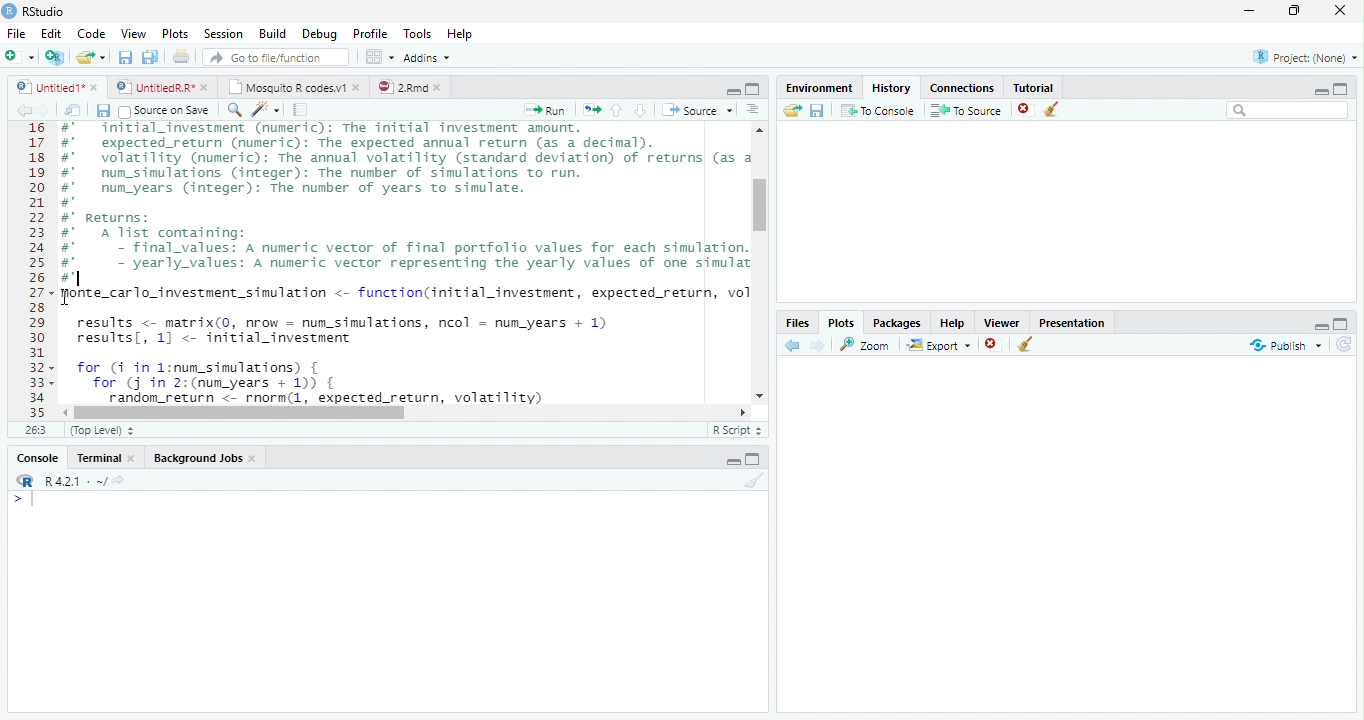 Image resolution: width=1364 pixels, height=720 pixels. What do you see at coordinates (1027, 109) in the screenshot?
I see `Remove Selected` at bounding box center [1027, 109].